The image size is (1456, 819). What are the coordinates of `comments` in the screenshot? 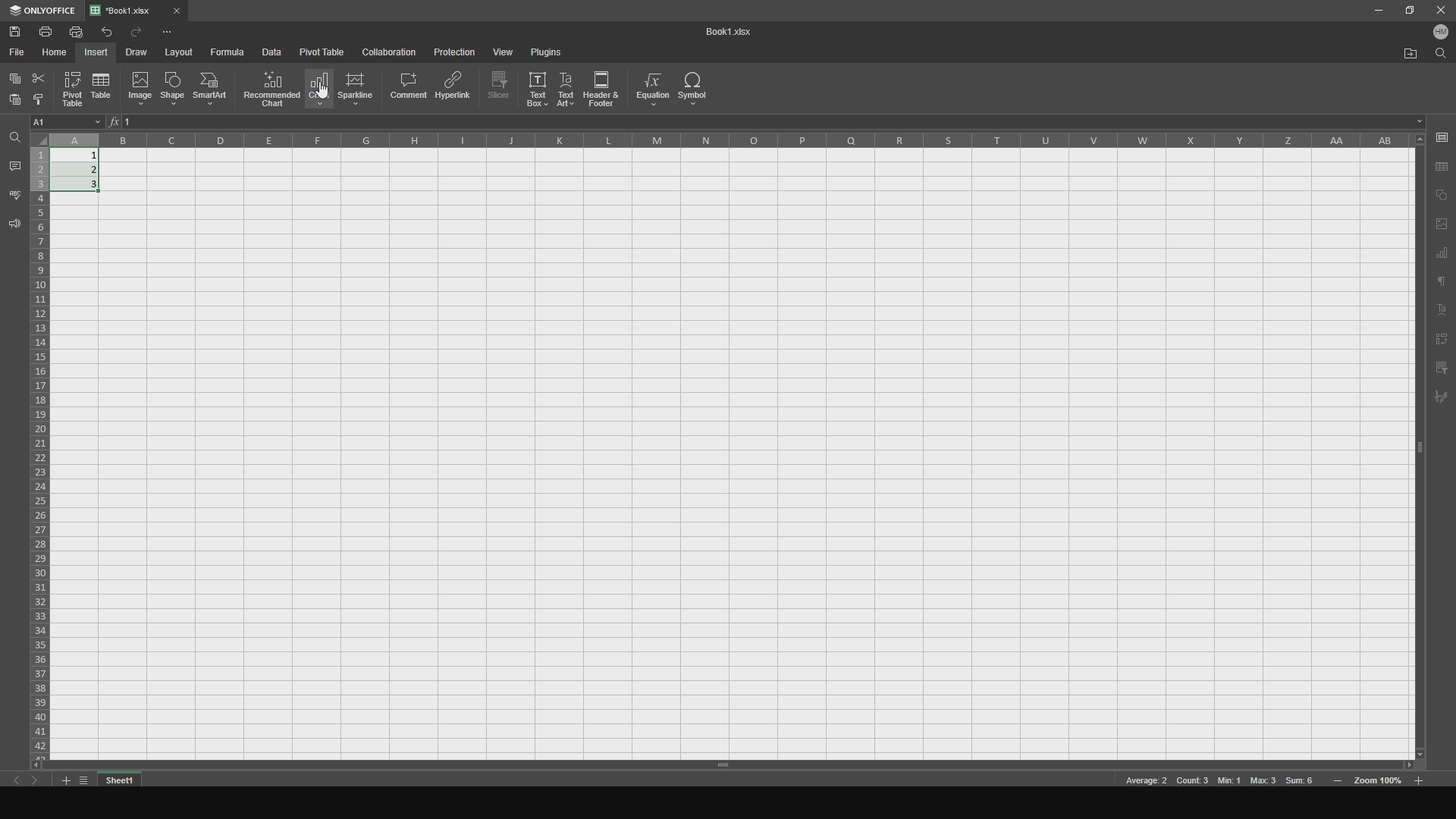 It's located at (14, 165).